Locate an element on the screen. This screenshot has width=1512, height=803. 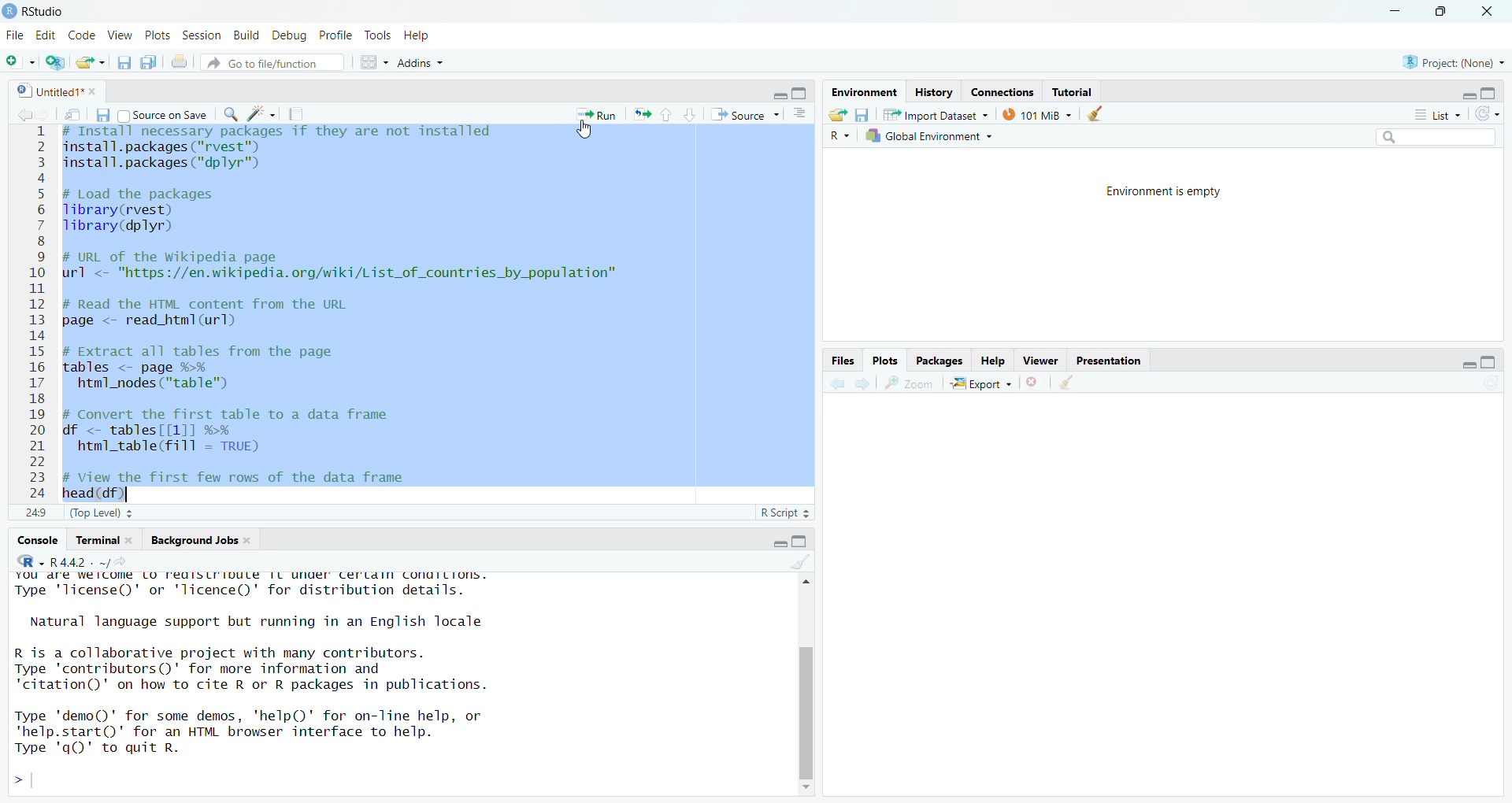
Addins is located at coordinates (421, 61).